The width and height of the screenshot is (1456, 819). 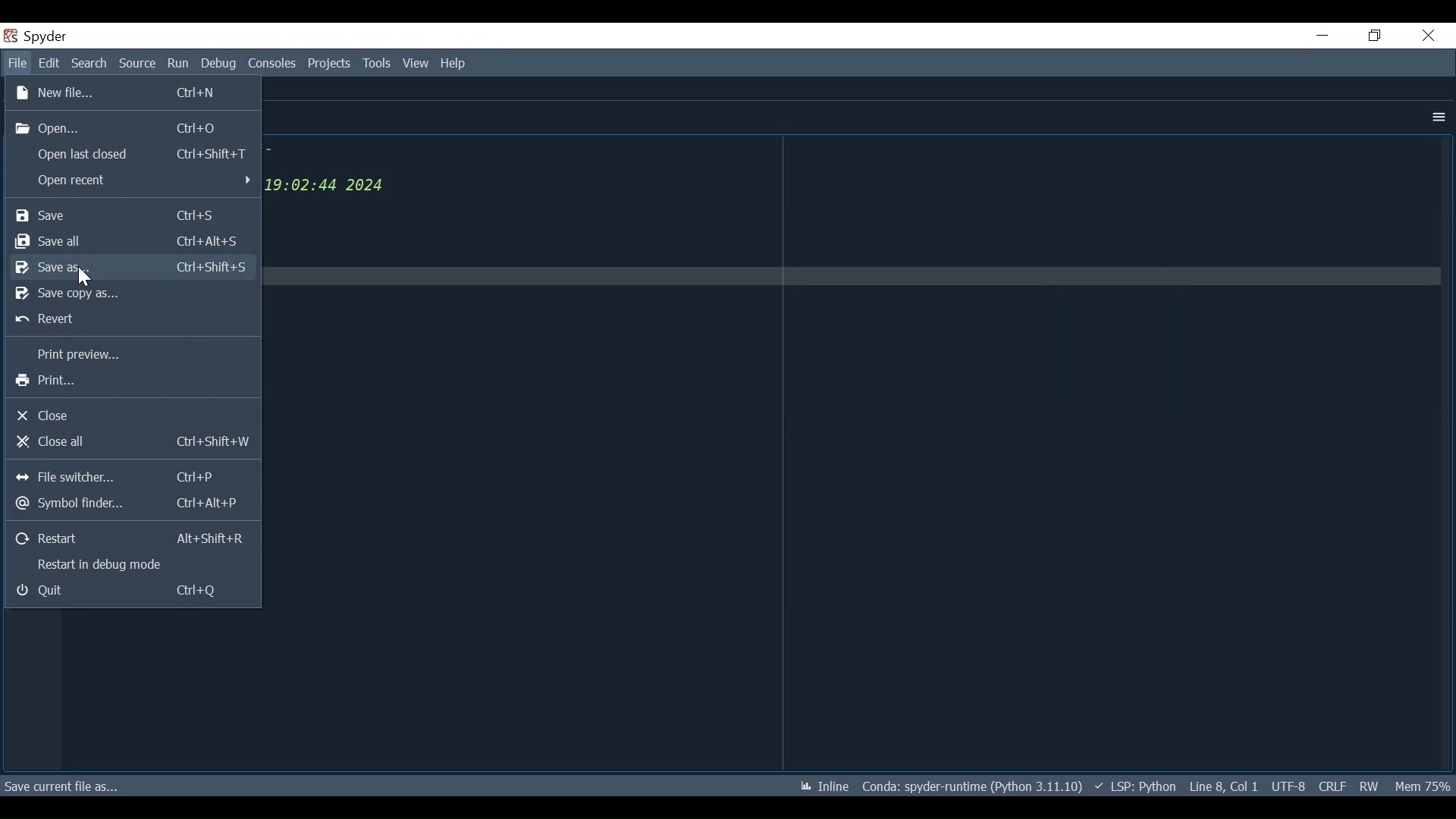 What do you see at coordinates (1332, 786) in the screenshot?
I see `File EQL Status` at bounding box center [1332, 786].